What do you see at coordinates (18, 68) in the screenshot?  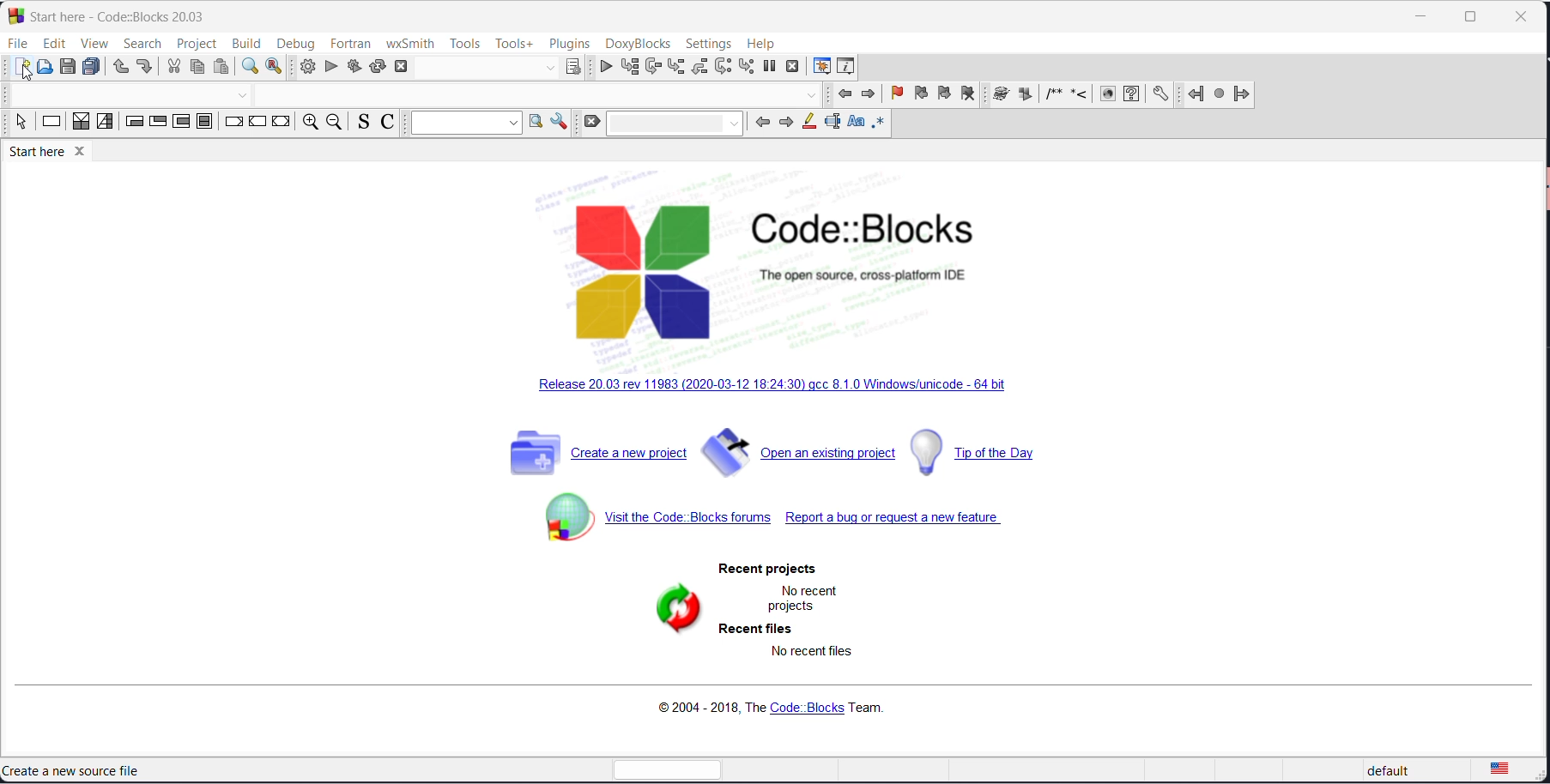 I see `new file` at bounding box center [18, 68].